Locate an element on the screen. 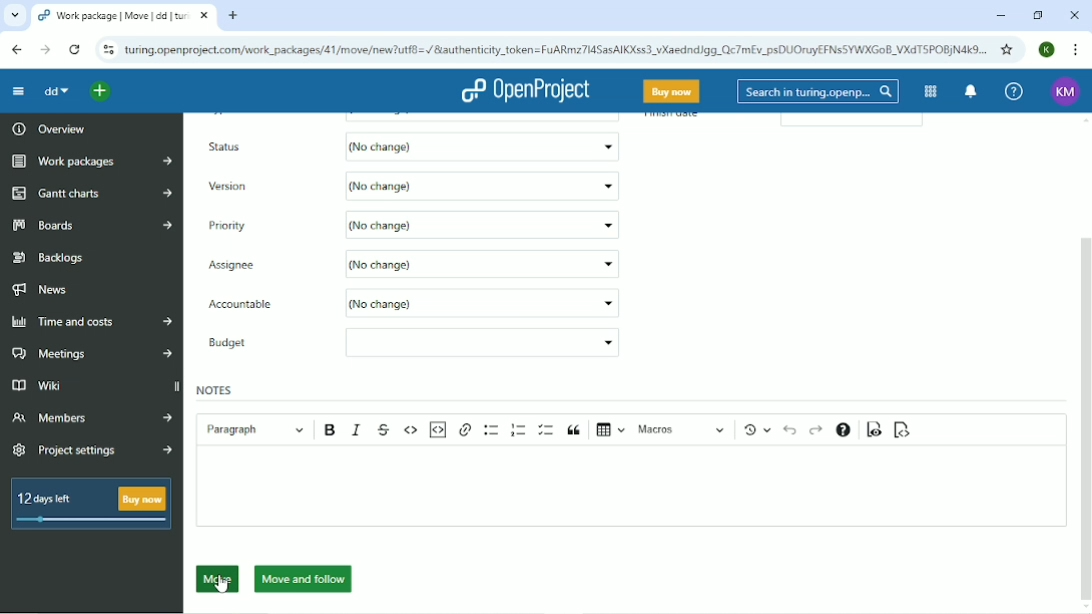 Image resolution: width=1092 pixels, height=614 pixels. Italic is located at coordinates (355, 432).